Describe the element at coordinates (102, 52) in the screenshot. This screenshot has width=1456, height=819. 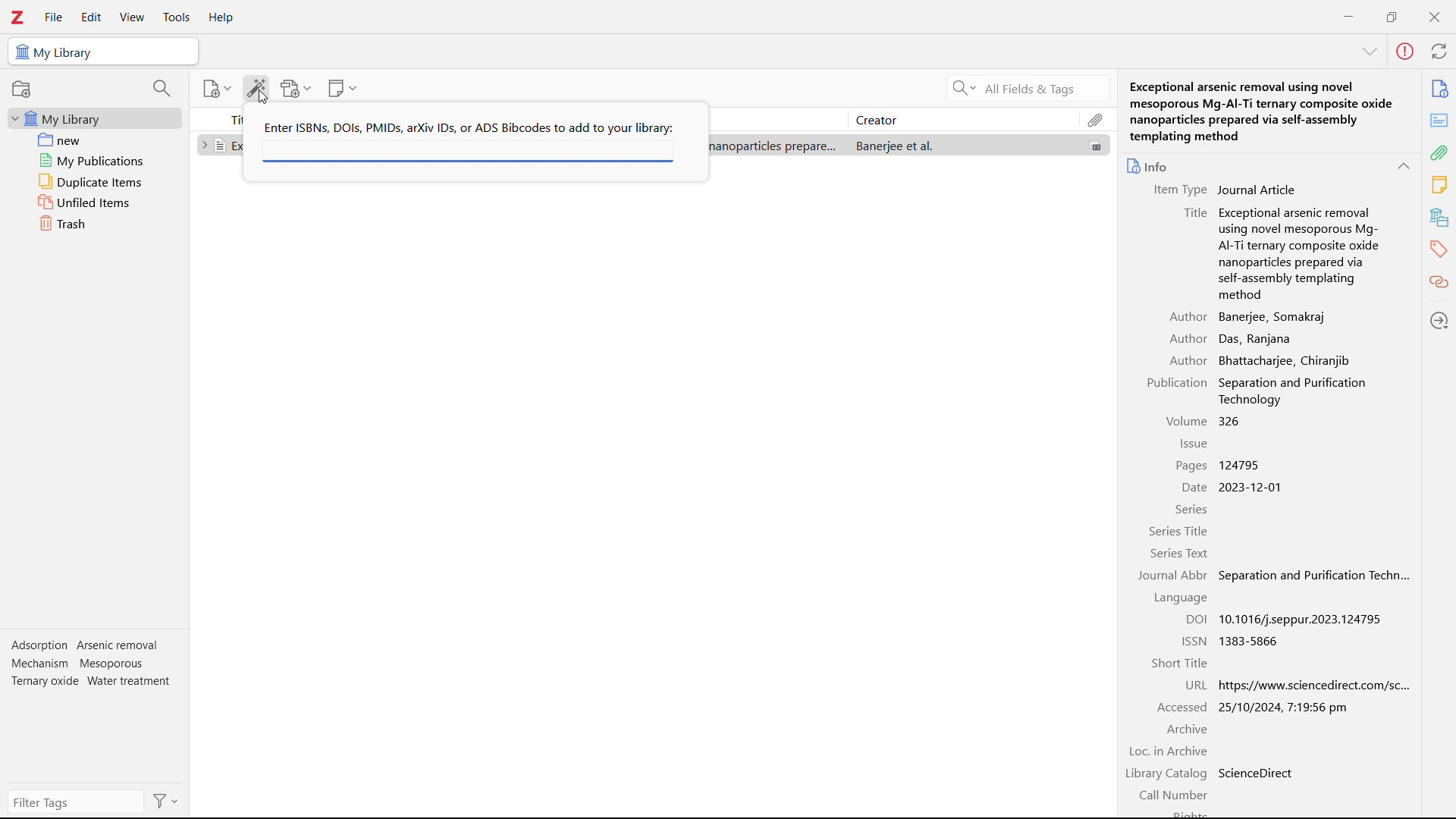
I see `selected library` at that location.